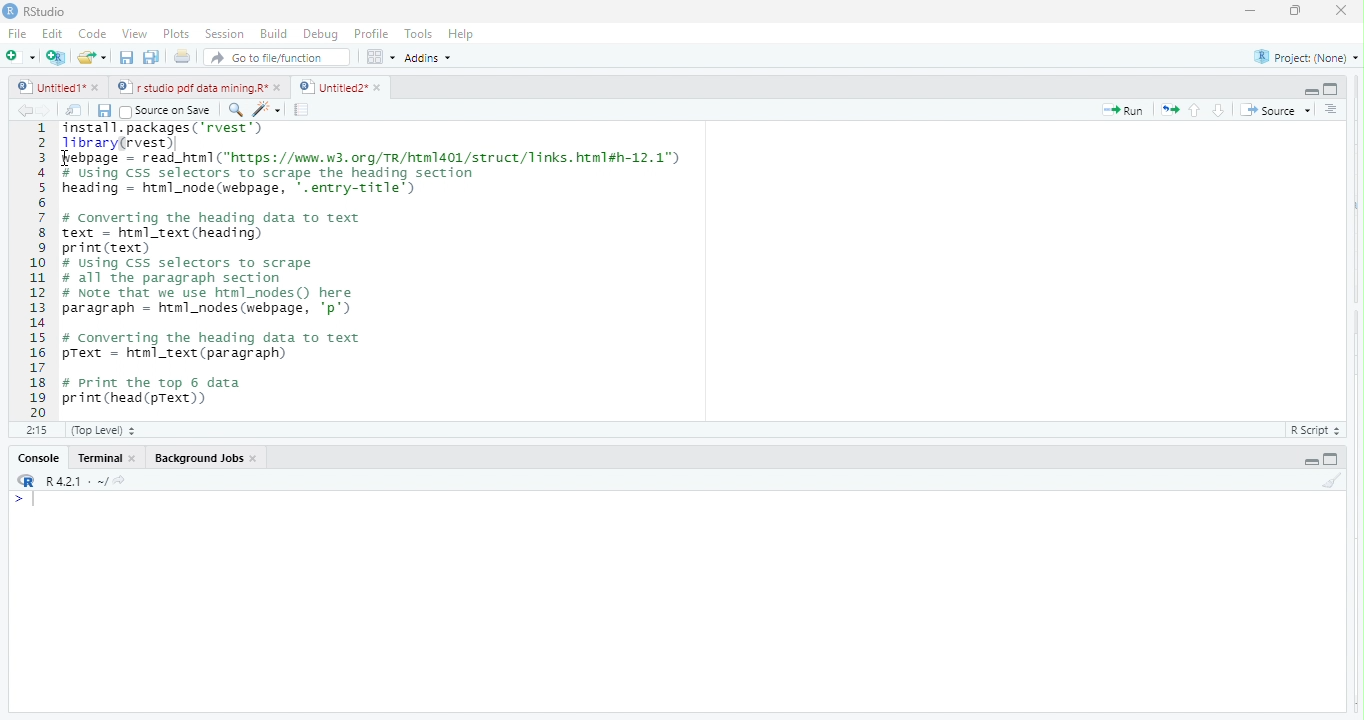 The height and width of the screenshot is (720, 1364). I want to click on create a project, so click(54, 57).